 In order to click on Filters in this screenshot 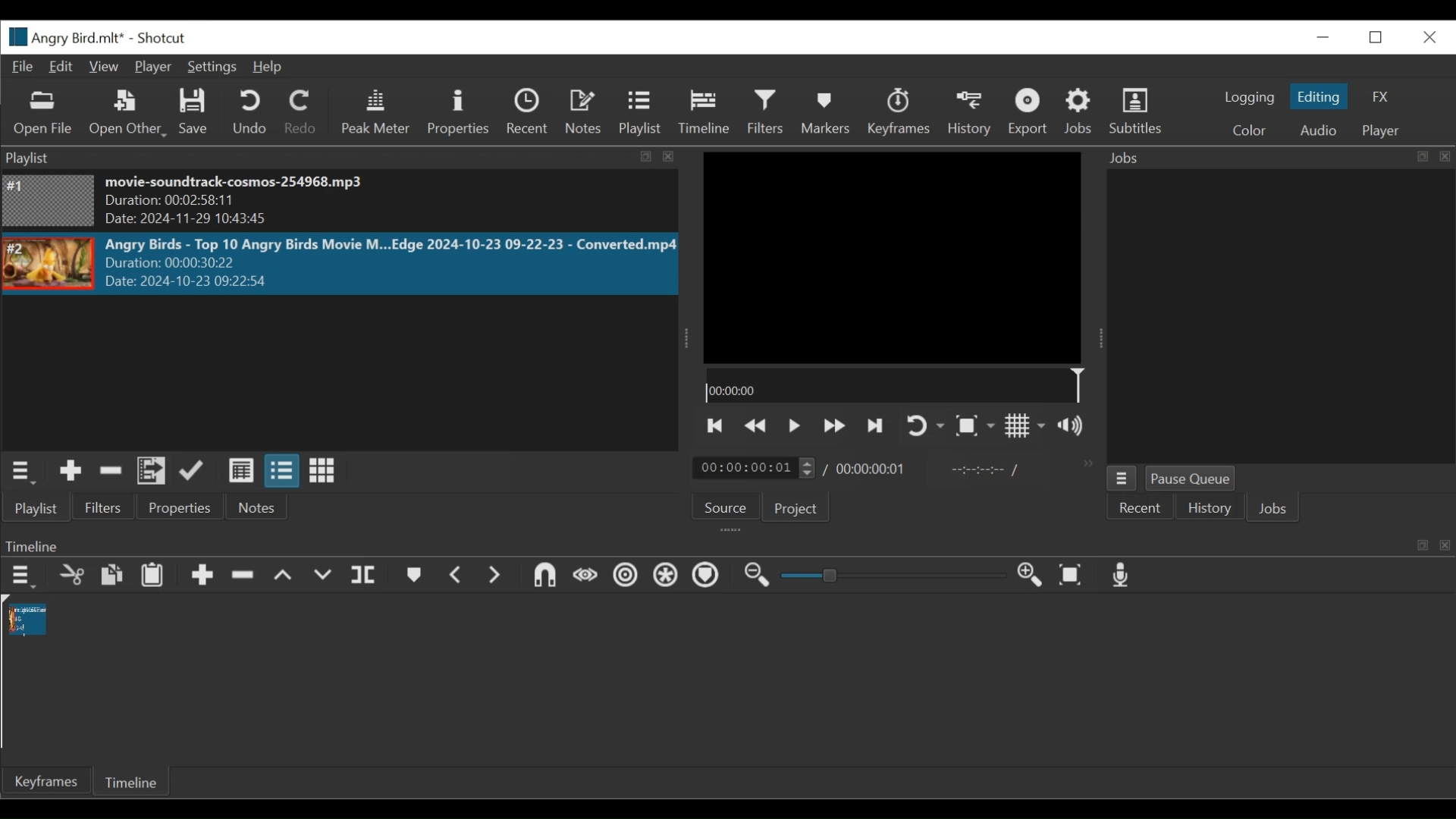, I will do `click(110, 507)`.